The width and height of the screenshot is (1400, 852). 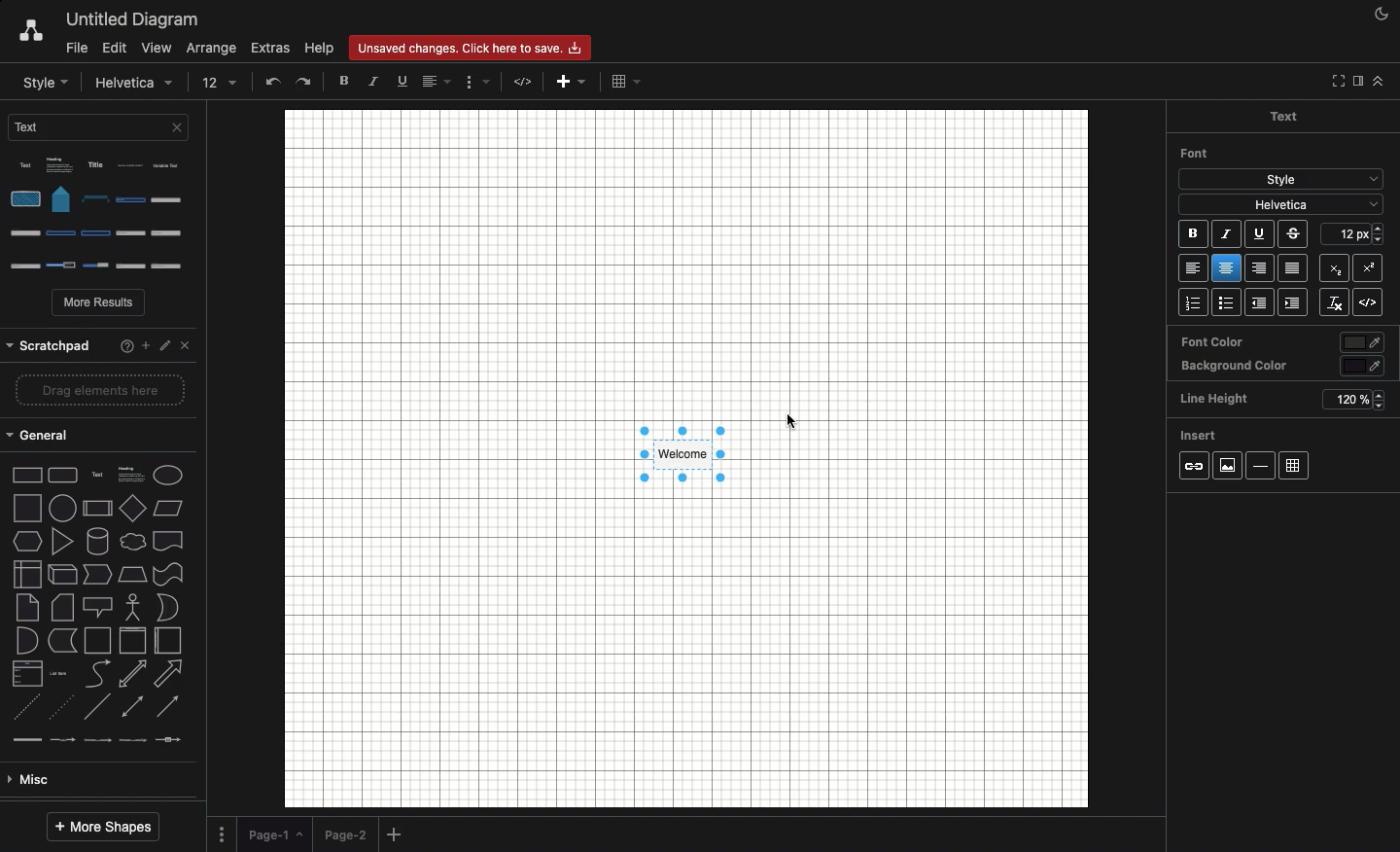 I want to click on Duplicate, so click(x=478, y=83).